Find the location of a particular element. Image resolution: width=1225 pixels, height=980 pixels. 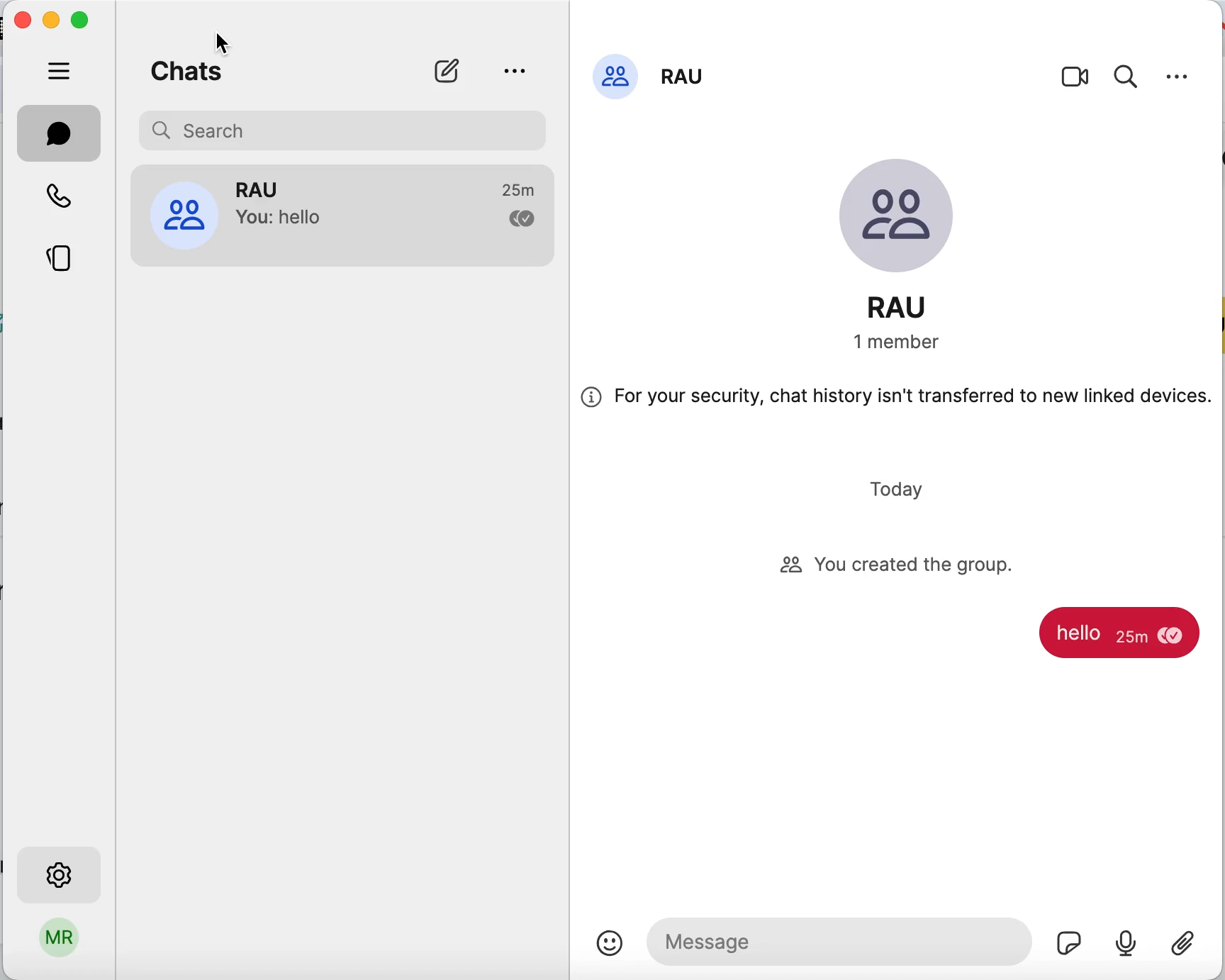

today is located at coordinates (903, 493).